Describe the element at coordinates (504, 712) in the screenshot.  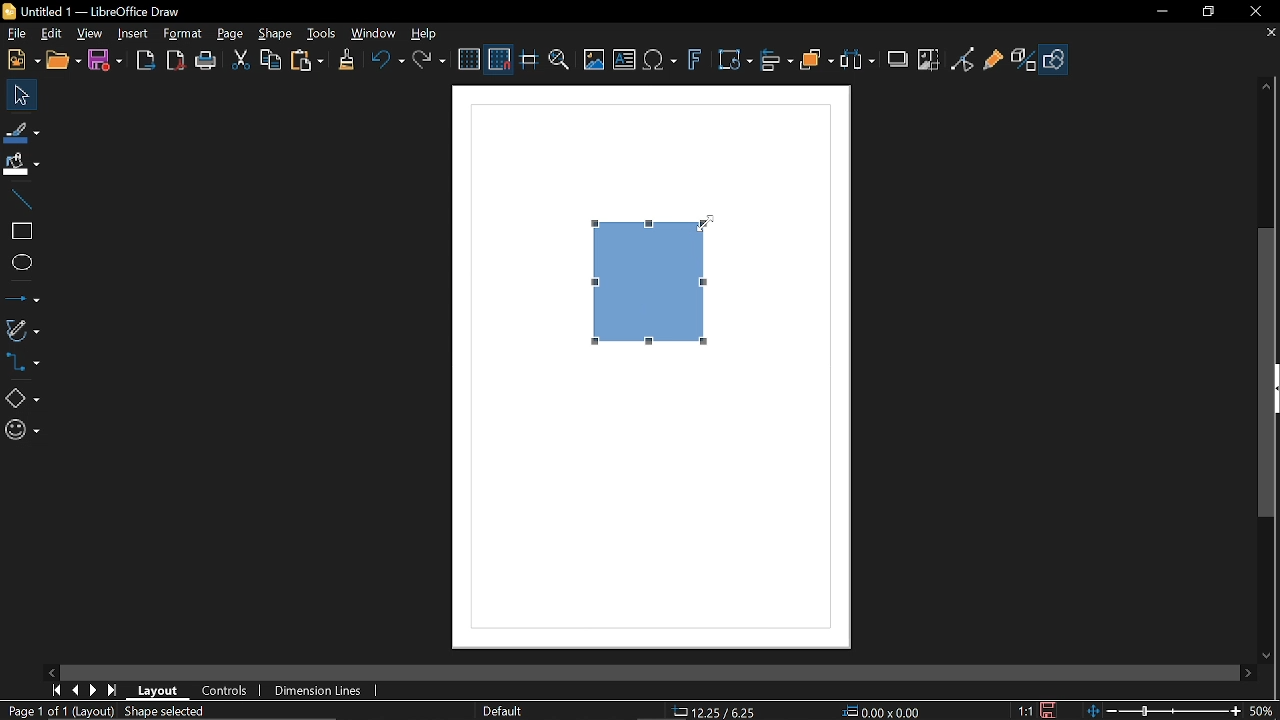
I see `Default (Slide master name)` at that location.